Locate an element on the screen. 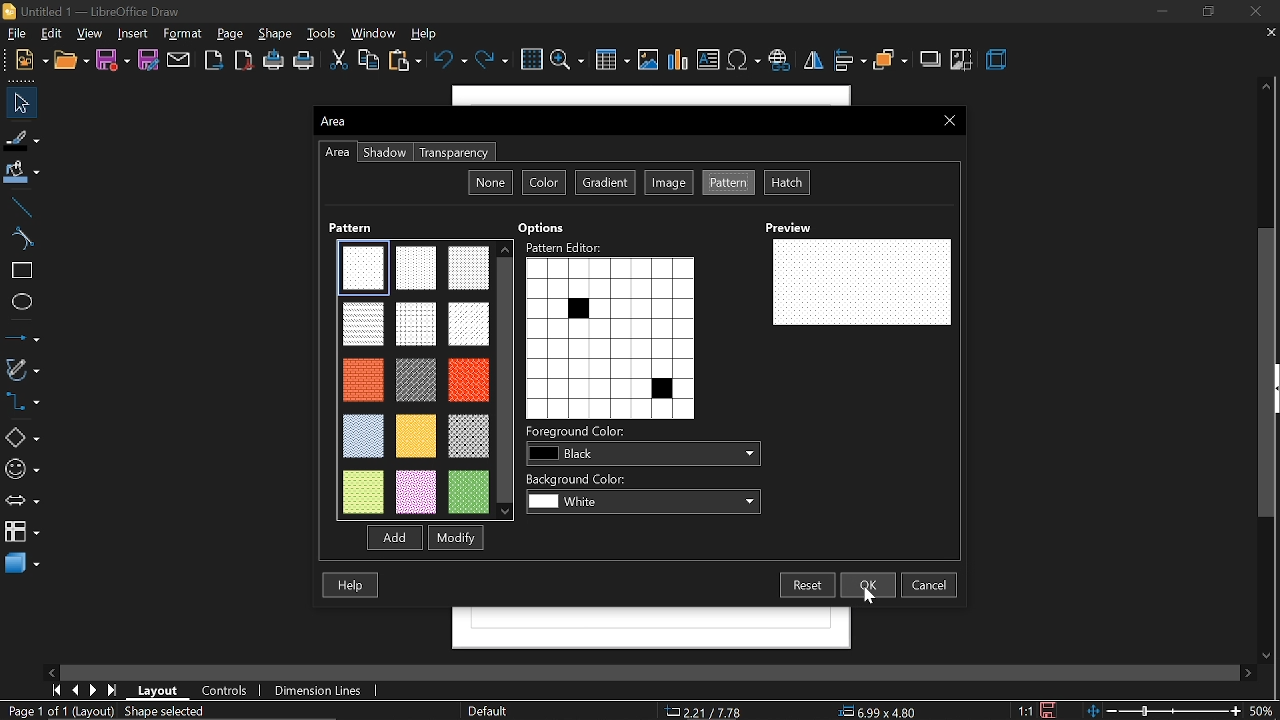 The height and width of the screenshot is (720, 1280). print is located at coordinates (306, 63).